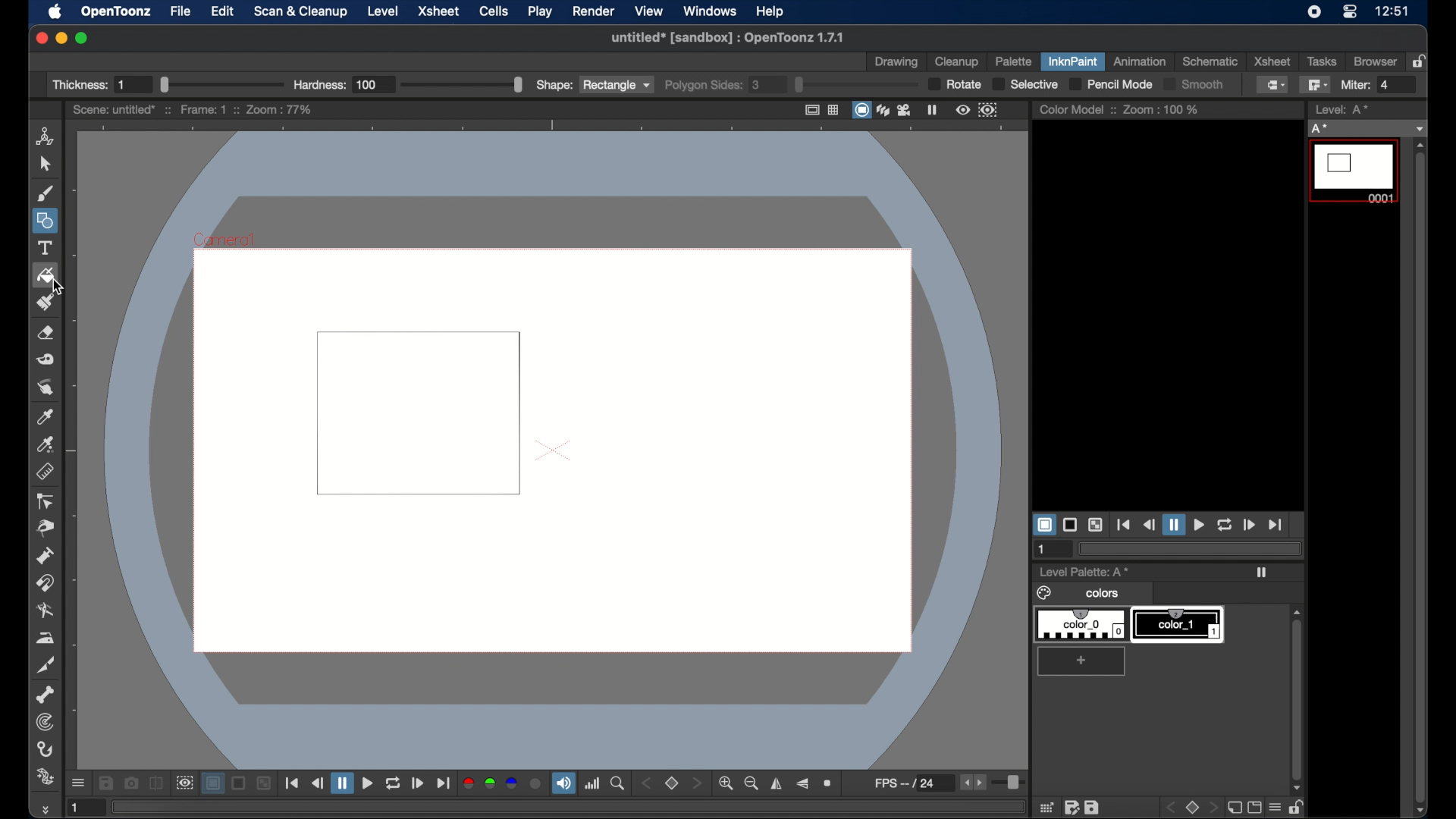  Describe the element at coordinates (45, 501) in the screenshot. I see `ontrol point editor tool` at that location.